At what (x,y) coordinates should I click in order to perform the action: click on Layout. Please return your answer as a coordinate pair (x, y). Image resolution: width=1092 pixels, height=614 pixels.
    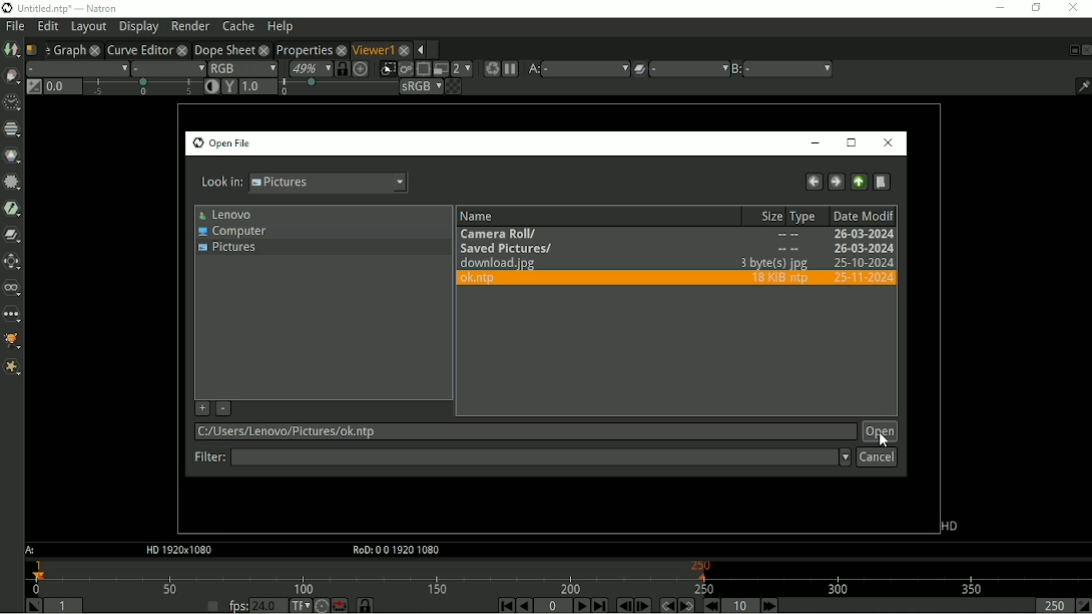
    Looking at the image, I should click on (88, 27).